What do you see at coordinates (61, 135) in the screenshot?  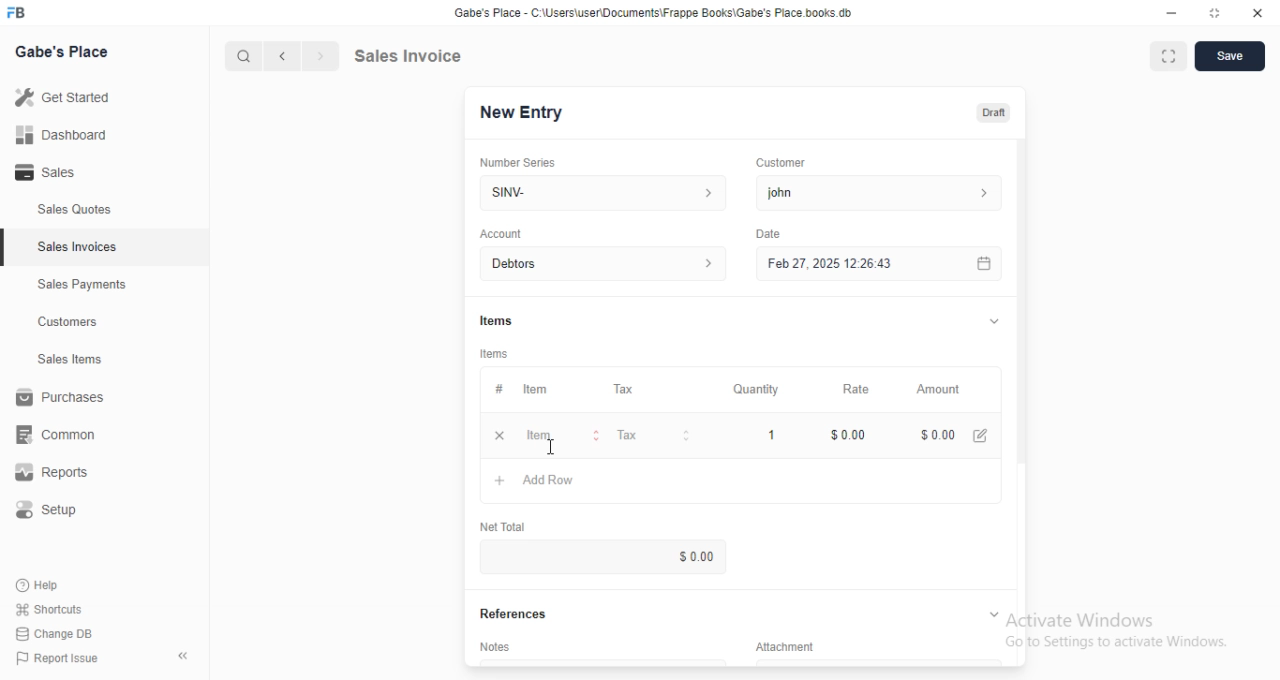 I see `Dashboard` at bounding box center [61, 135].